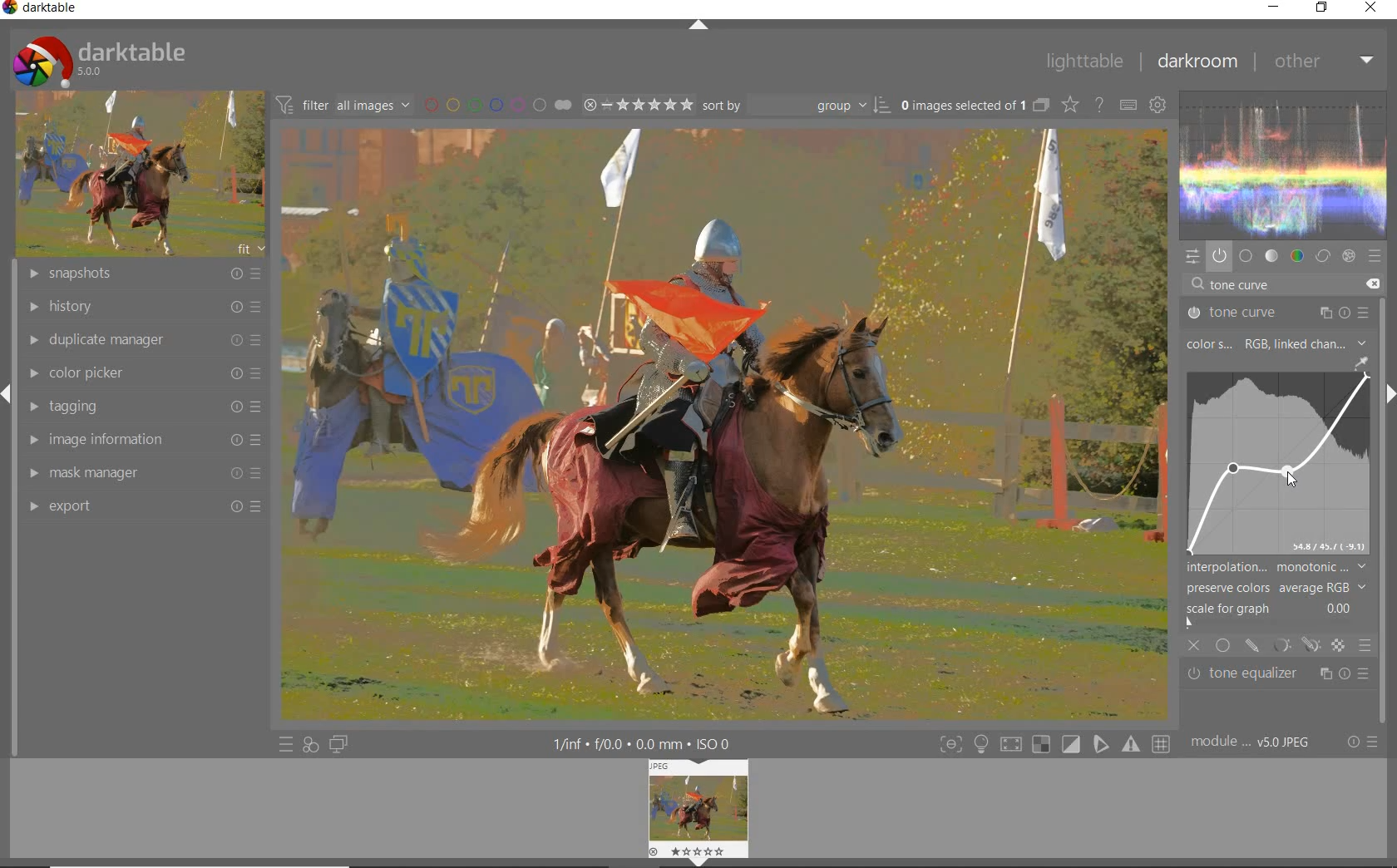  What do you see at coordinates (1273, 609) in the screenshot?
I see `scale for graph` at bounding box center [1273, 609].